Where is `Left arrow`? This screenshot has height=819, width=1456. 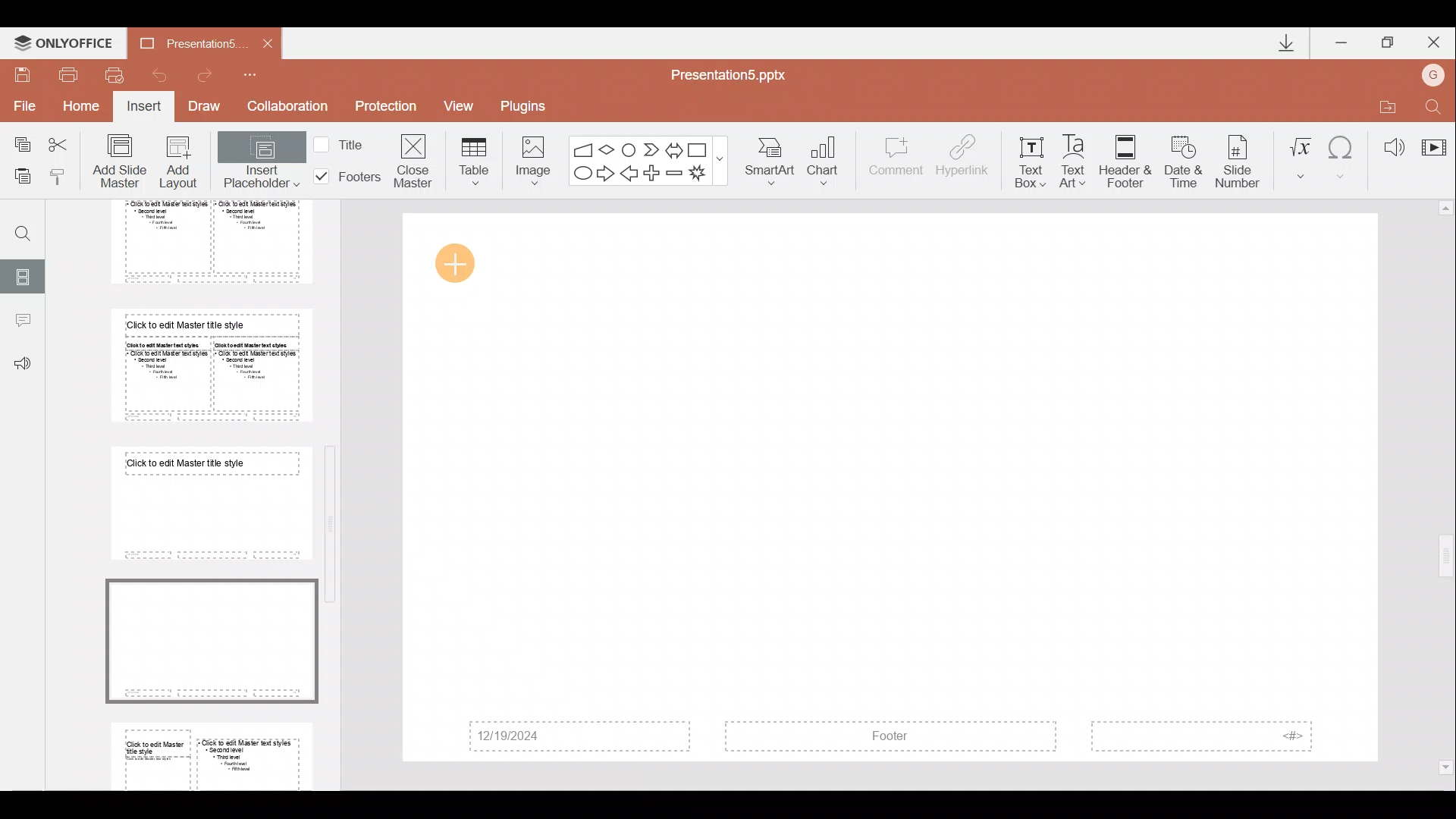
Left arrow is located at coordinates (630, 174).